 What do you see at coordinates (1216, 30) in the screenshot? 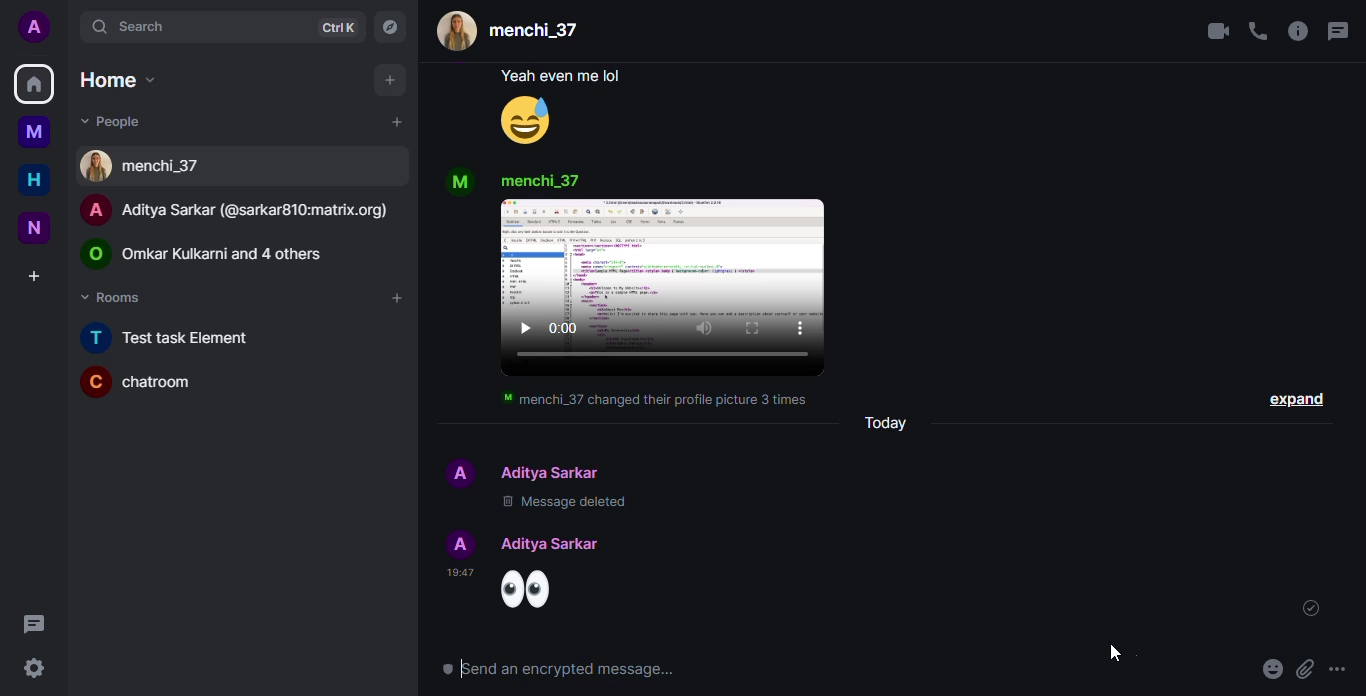
I see `video call` at bounding box center [1216, 30].